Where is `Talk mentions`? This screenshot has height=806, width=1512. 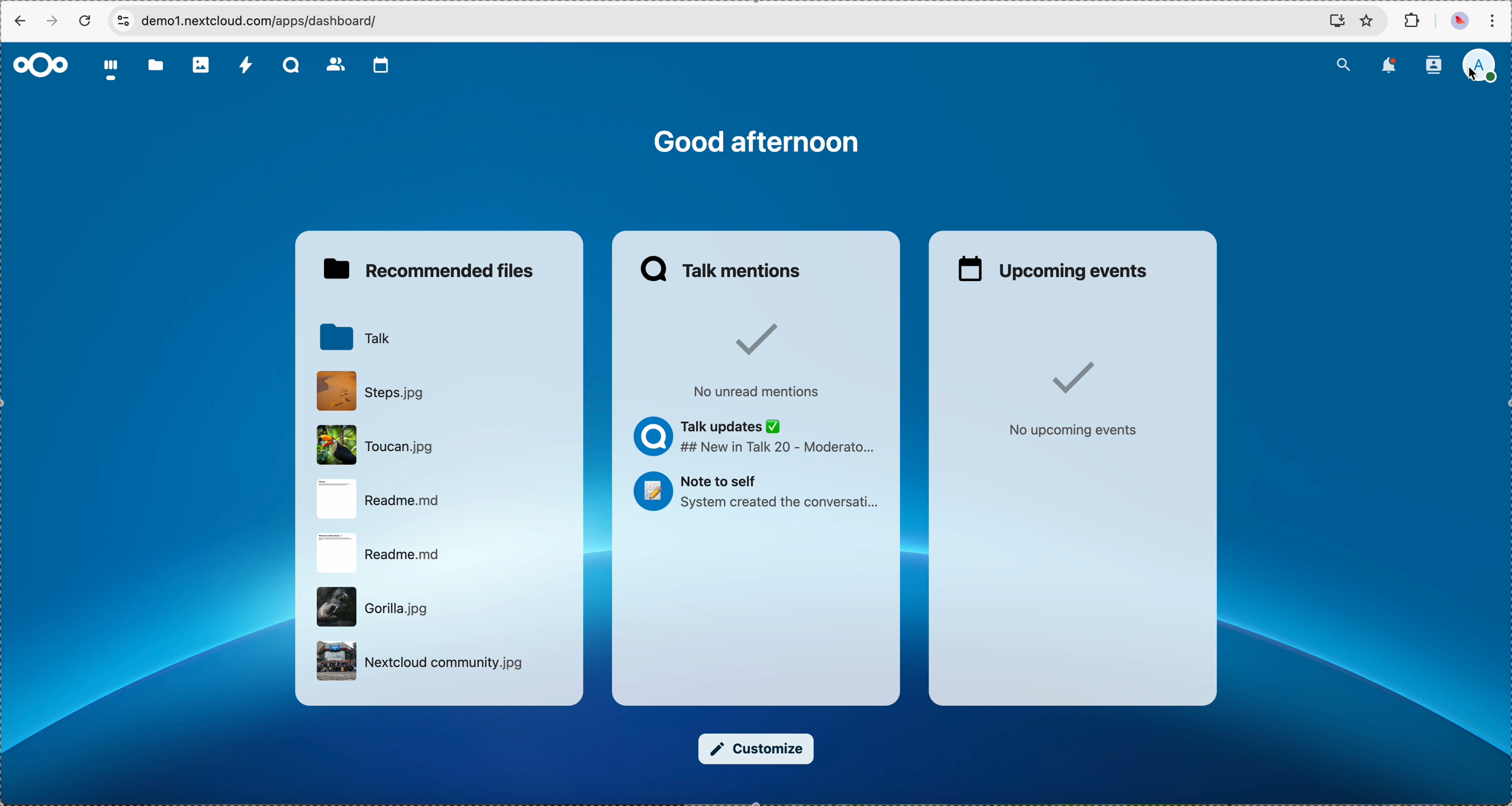
Talk mentions is located at coordinates (723, 269).